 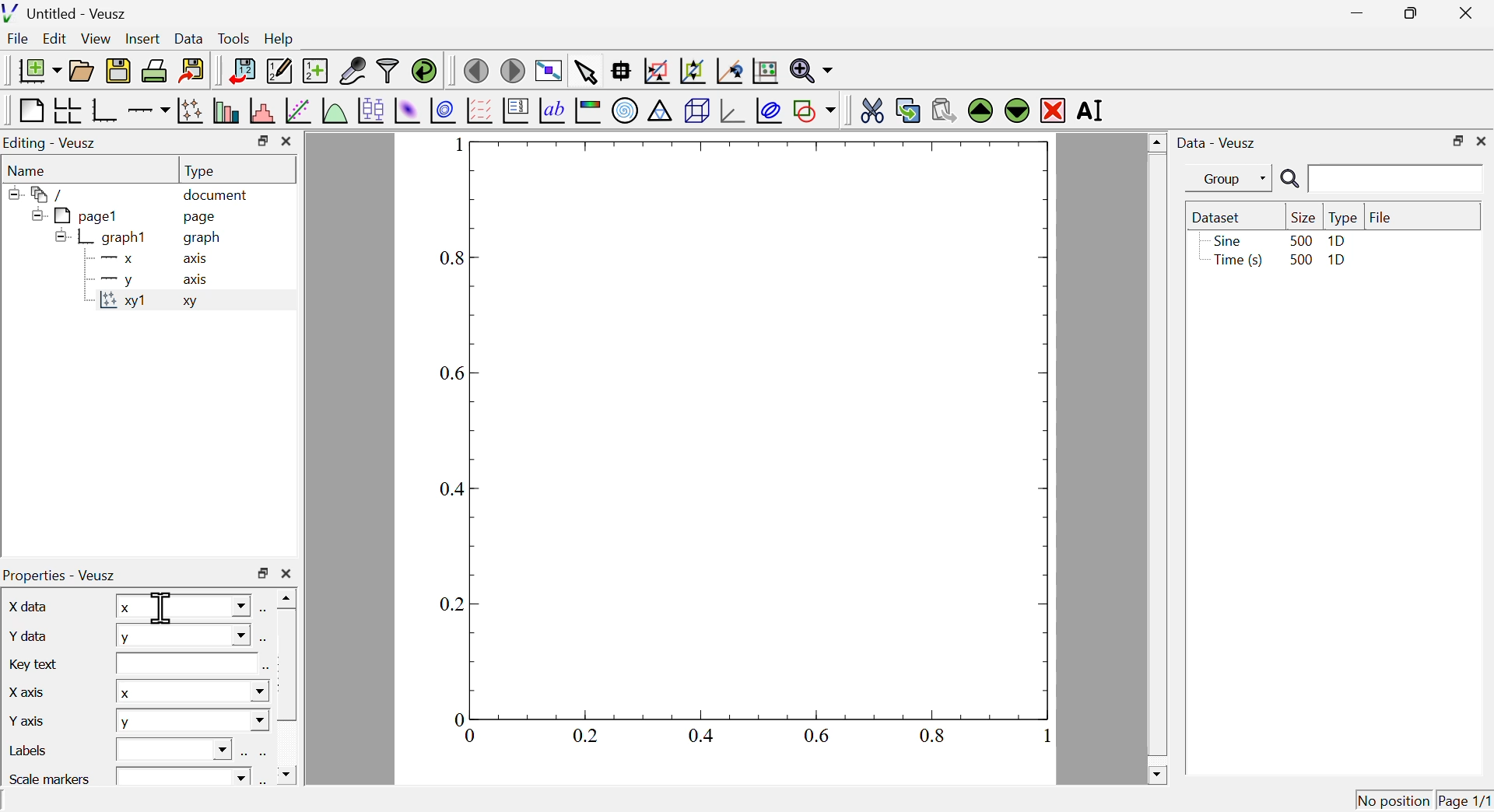 What do you see at coordinates (811, 71) in the screenshot?
I see `zoom functions` at bounding box center [811, 71].